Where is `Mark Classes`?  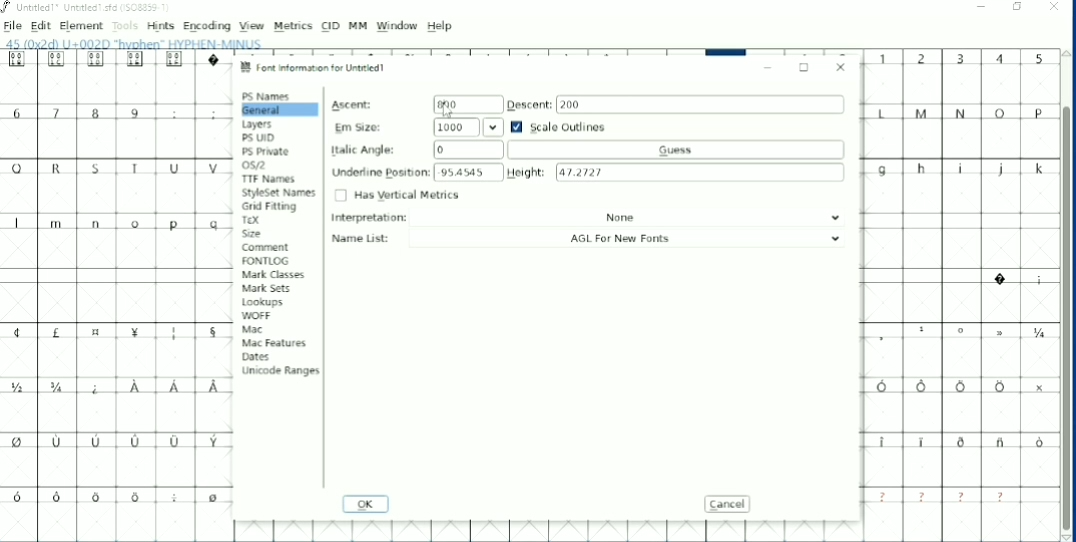
Mark Classes is located at coordinates (275, 274).